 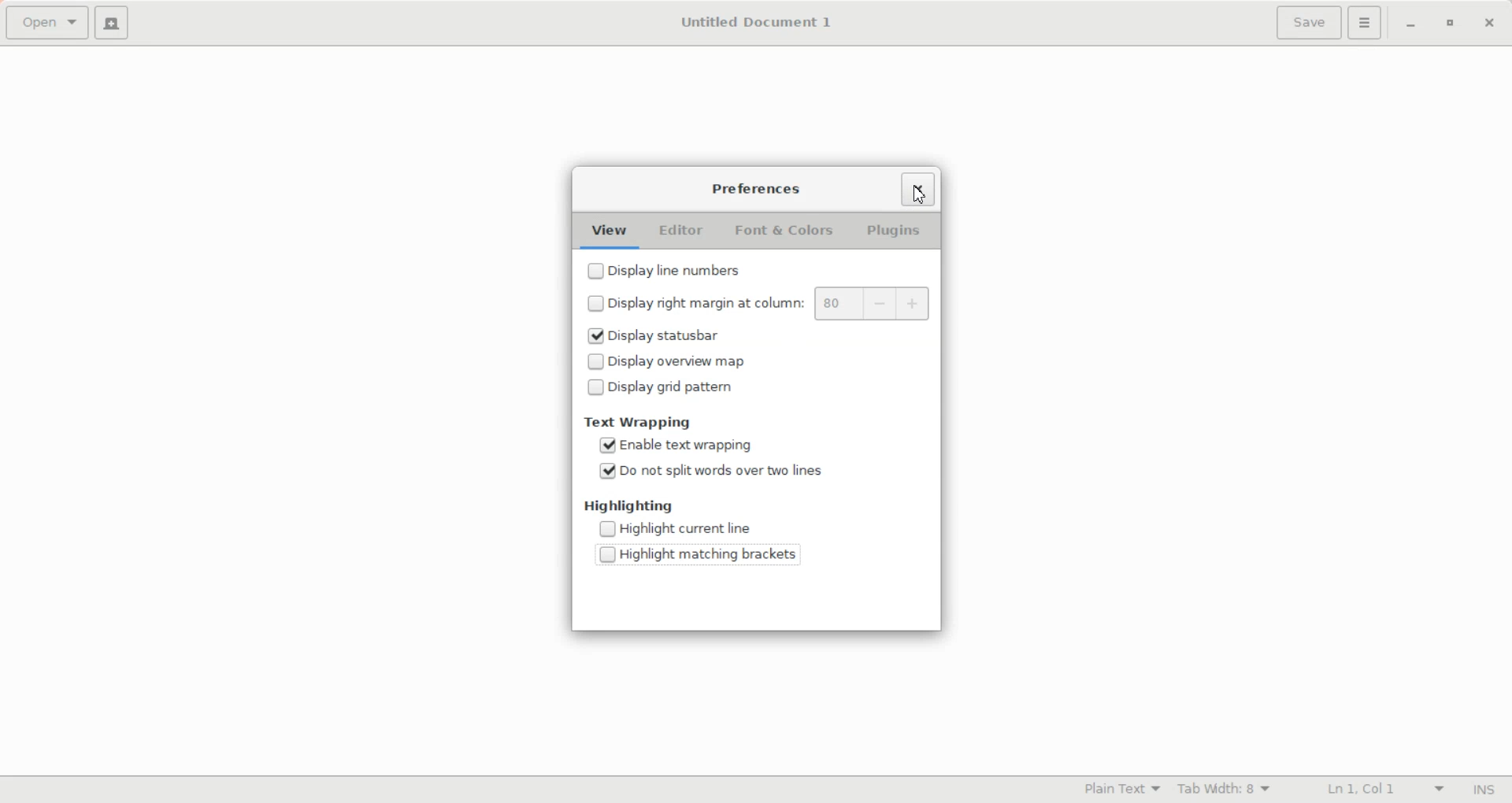 What do you see at coordinates (1449, 24) in the screenshot?
I see `Maximize` at bounding box center [1449, 24].